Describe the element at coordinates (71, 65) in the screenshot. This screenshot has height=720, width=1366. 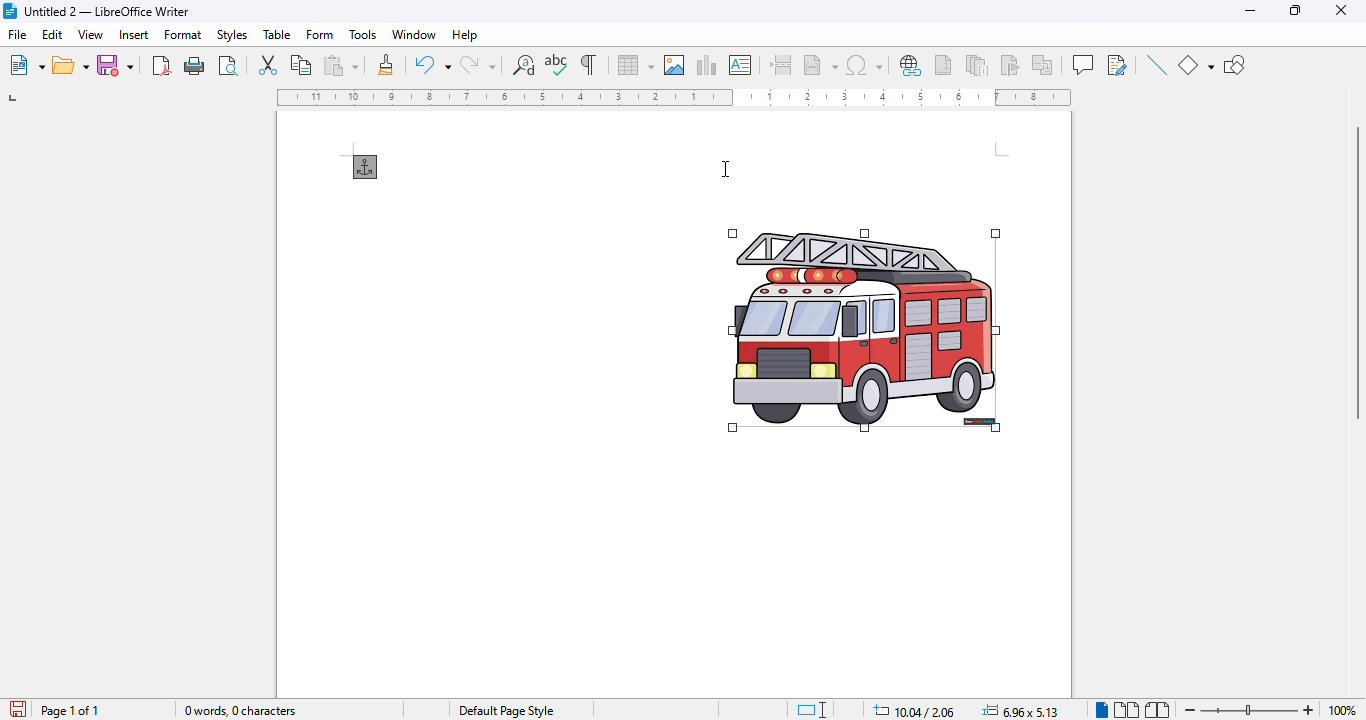
I see `open` at that location.